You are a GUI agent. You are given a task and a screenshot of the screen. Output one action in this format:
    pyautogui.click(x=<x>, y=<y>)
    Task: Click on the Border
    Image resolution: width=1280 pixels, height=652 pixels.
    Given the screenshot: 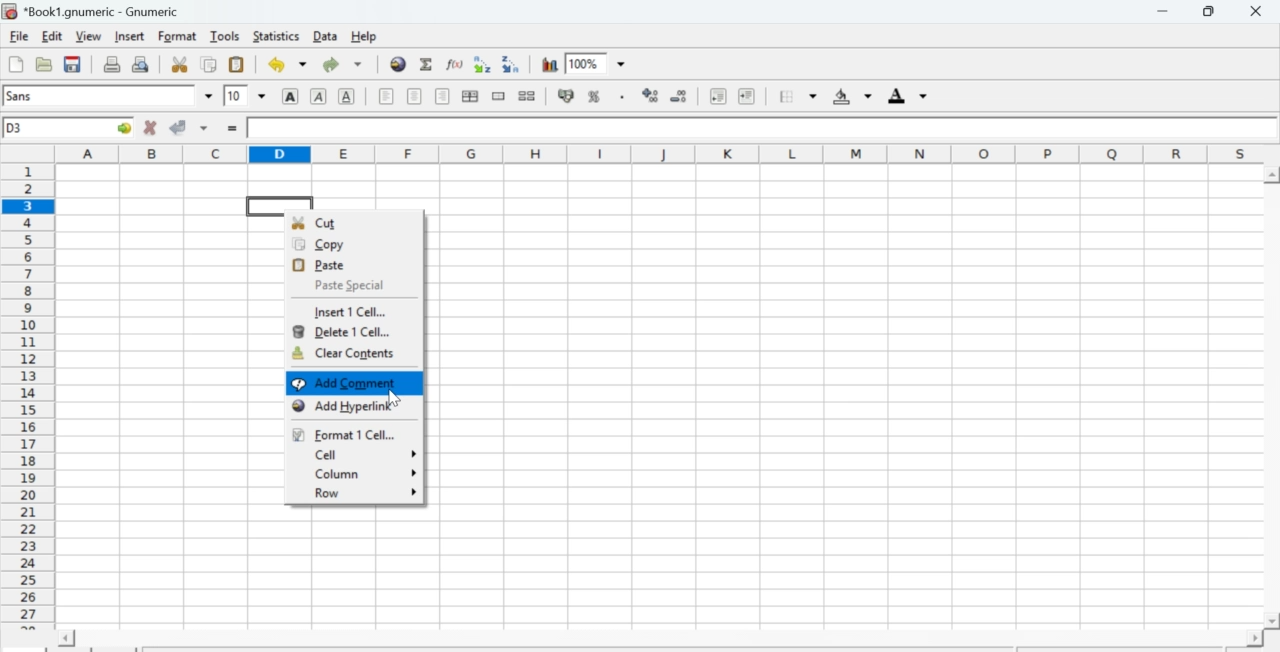 What is the action you would take?
    pyautogui.click(x=798, y=97)
    